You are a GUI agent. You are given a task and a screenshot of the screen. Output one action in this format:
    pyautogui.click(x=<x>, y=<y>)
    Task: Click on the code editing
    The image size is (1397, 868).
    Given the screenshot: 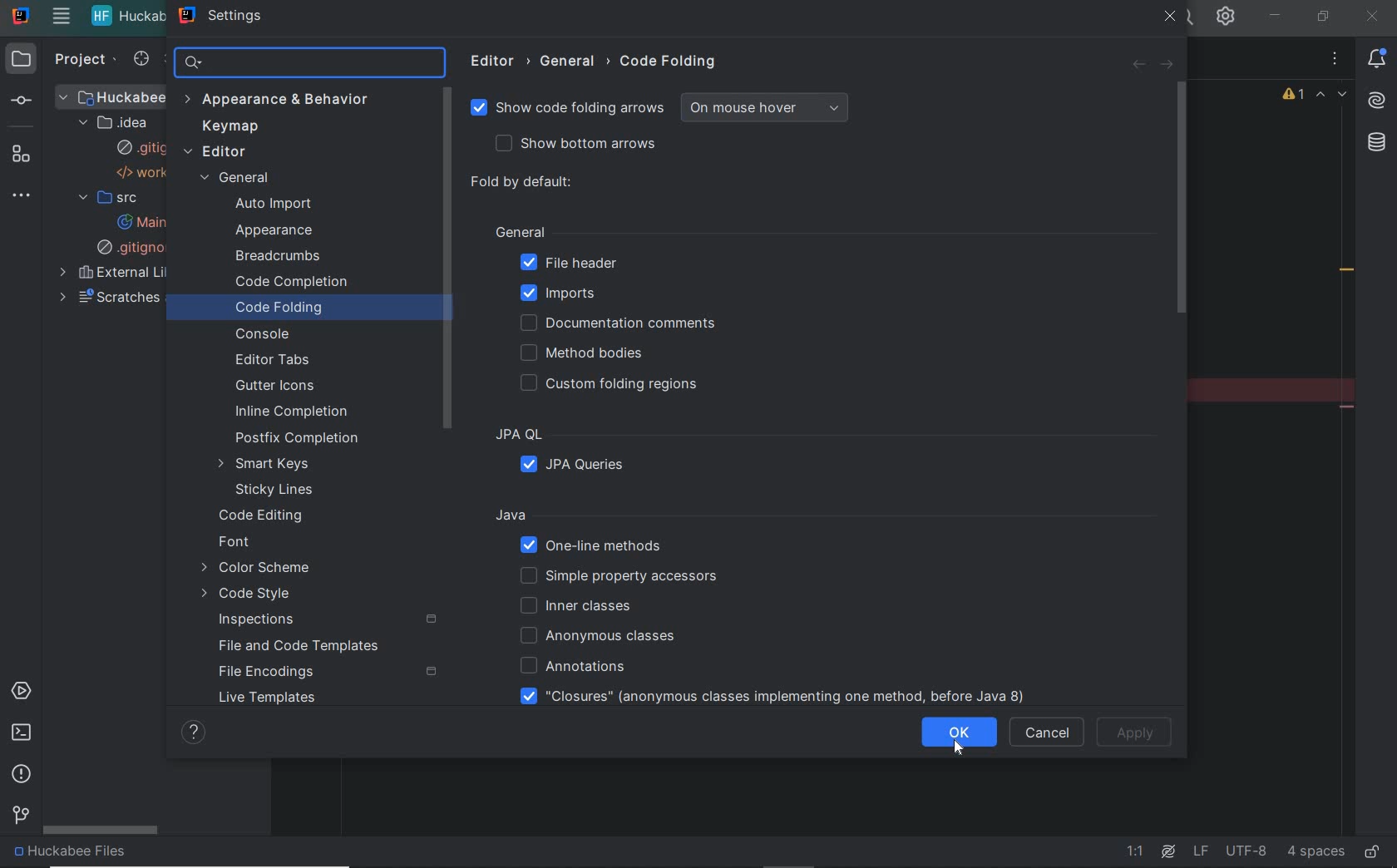 What is the action you would take?
    pyautogui.click(x=263, y=517)
    